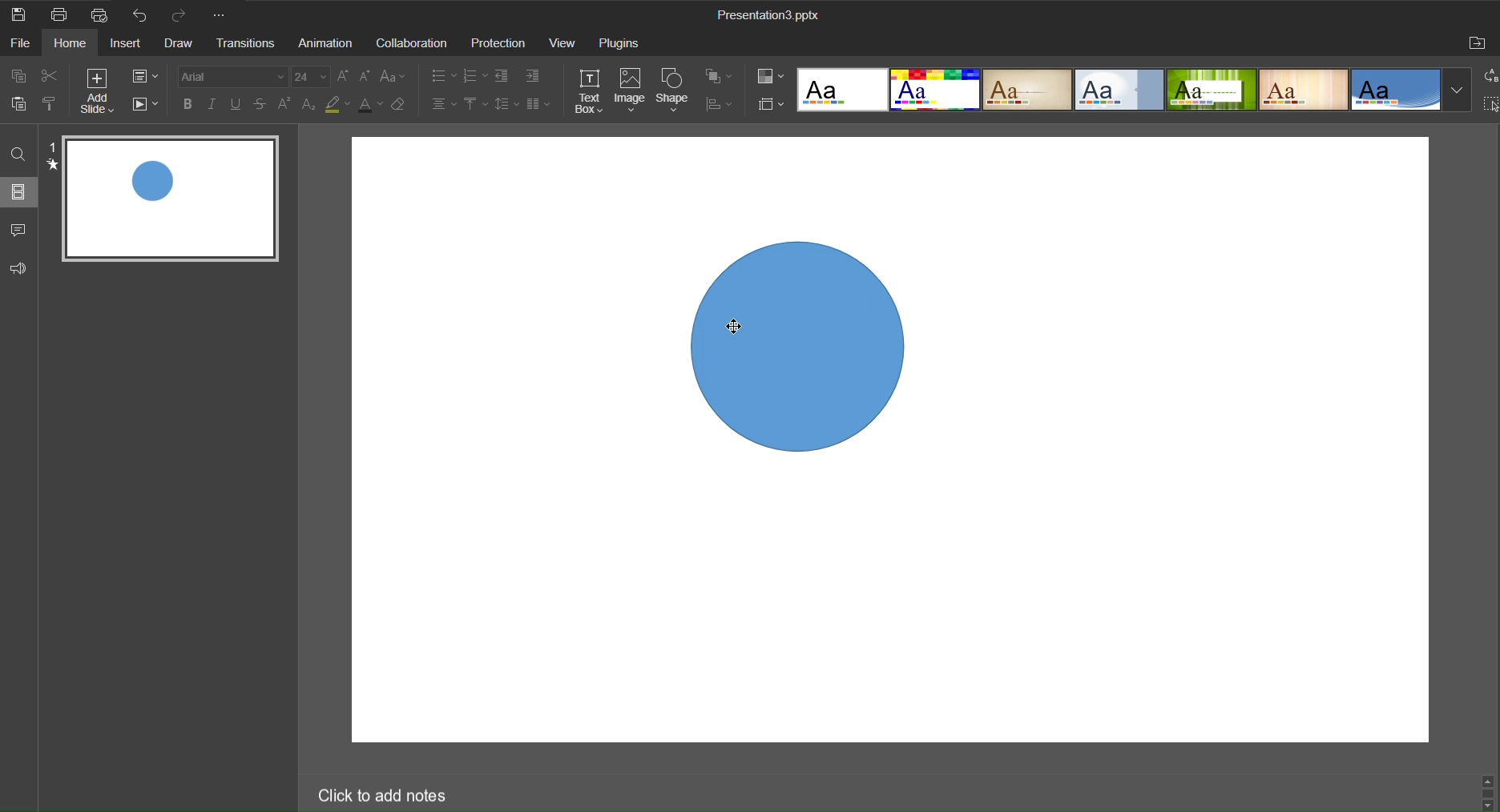 This screenshot has height=812, width=1500. I want to click on Comments, so click(20, 227).